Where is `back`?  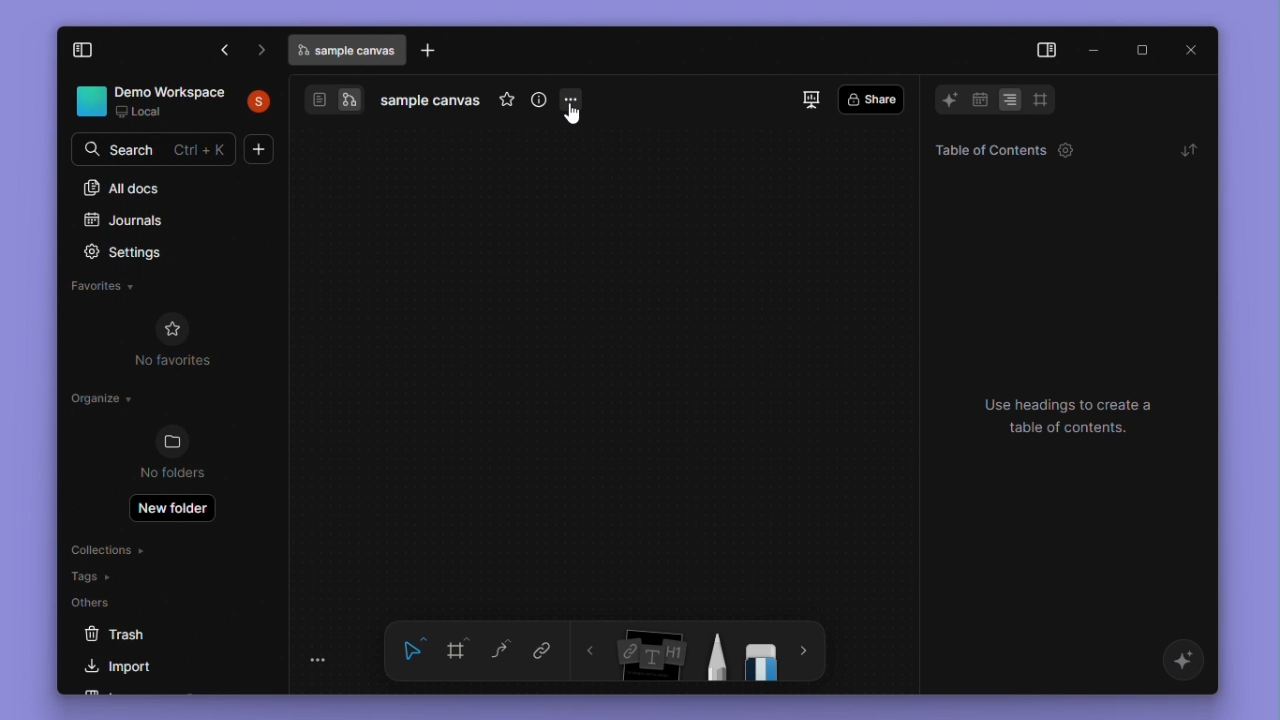 back is located at coordinates (592, 653).